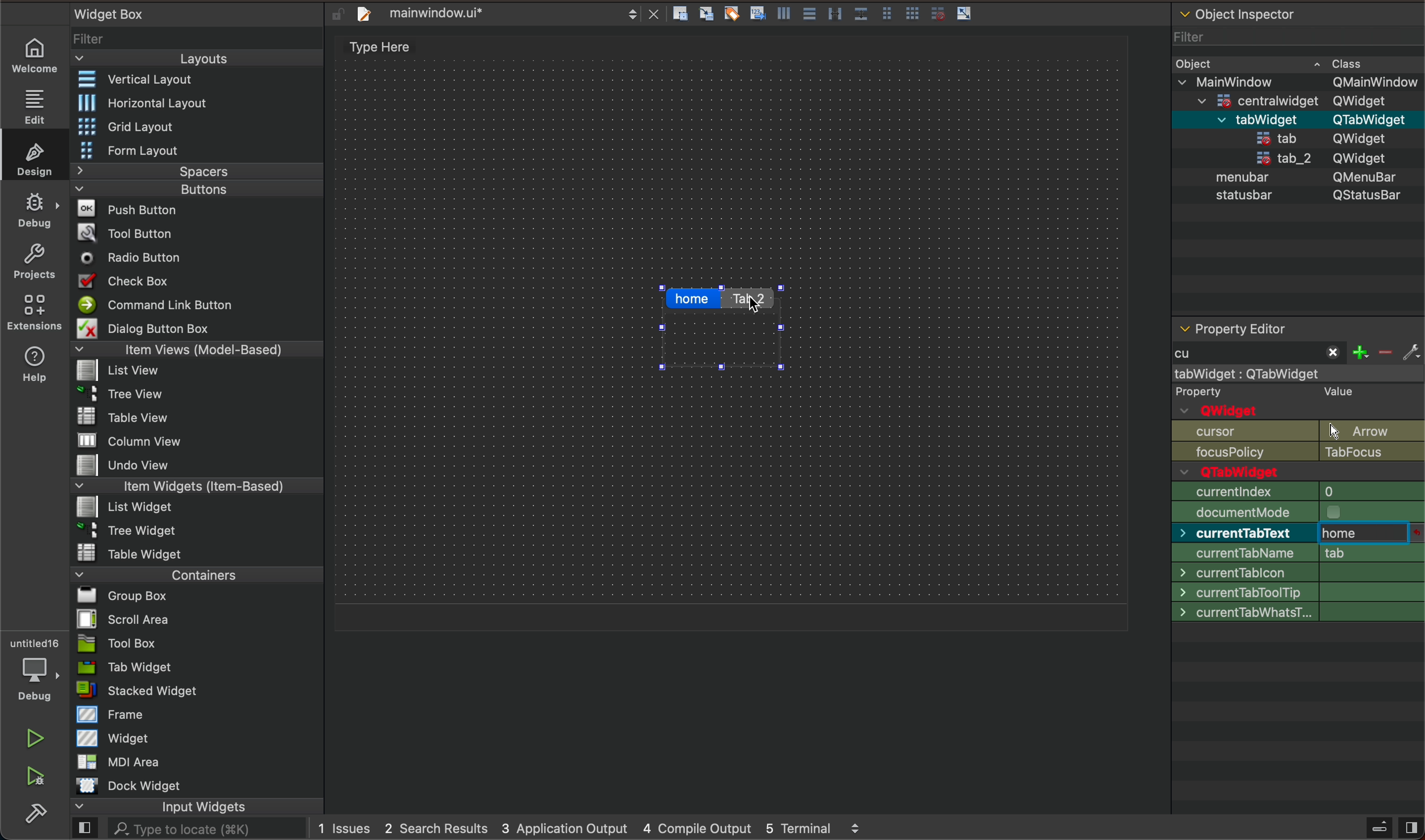 The height and width of the screenshot is (840, 1425). What do you see at coordinates (1364, 535) in the screenshot?
I see `typing ` at bounding box center [1364, 535].